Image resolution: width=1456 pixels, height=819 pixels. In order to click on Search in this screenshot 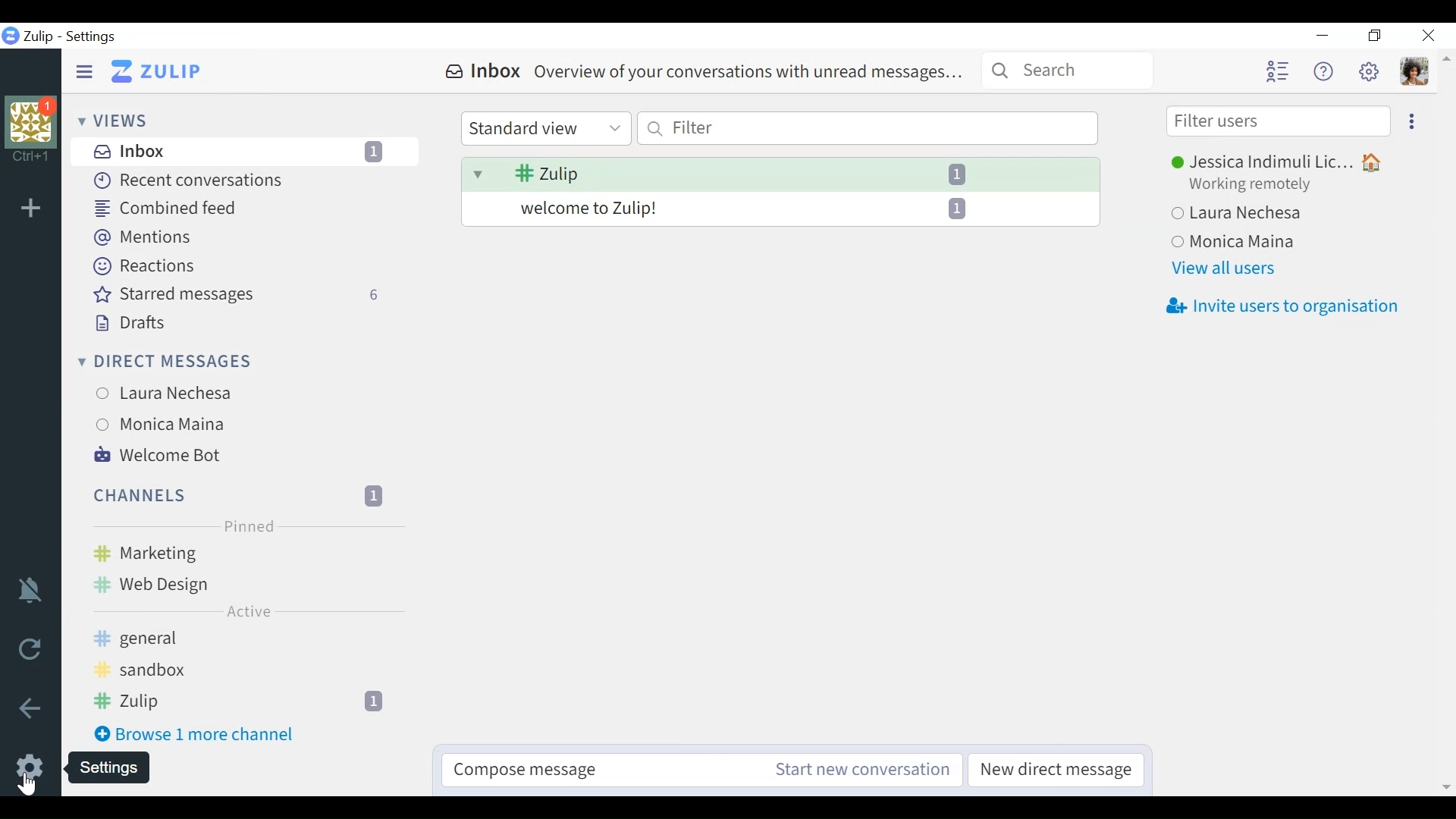, I will do `click(1068, 70)`.